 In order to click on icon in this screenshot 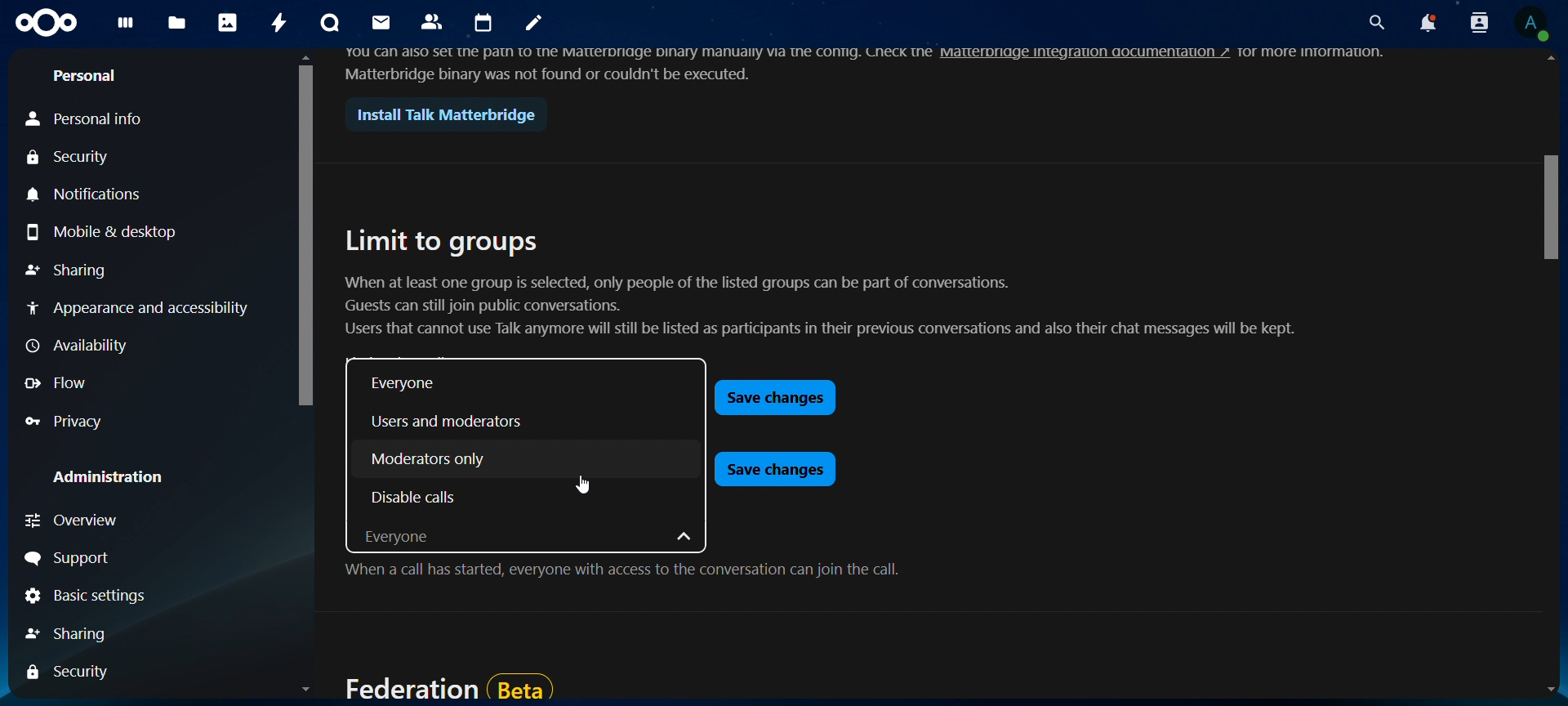, I will do `click(47, 24)`.